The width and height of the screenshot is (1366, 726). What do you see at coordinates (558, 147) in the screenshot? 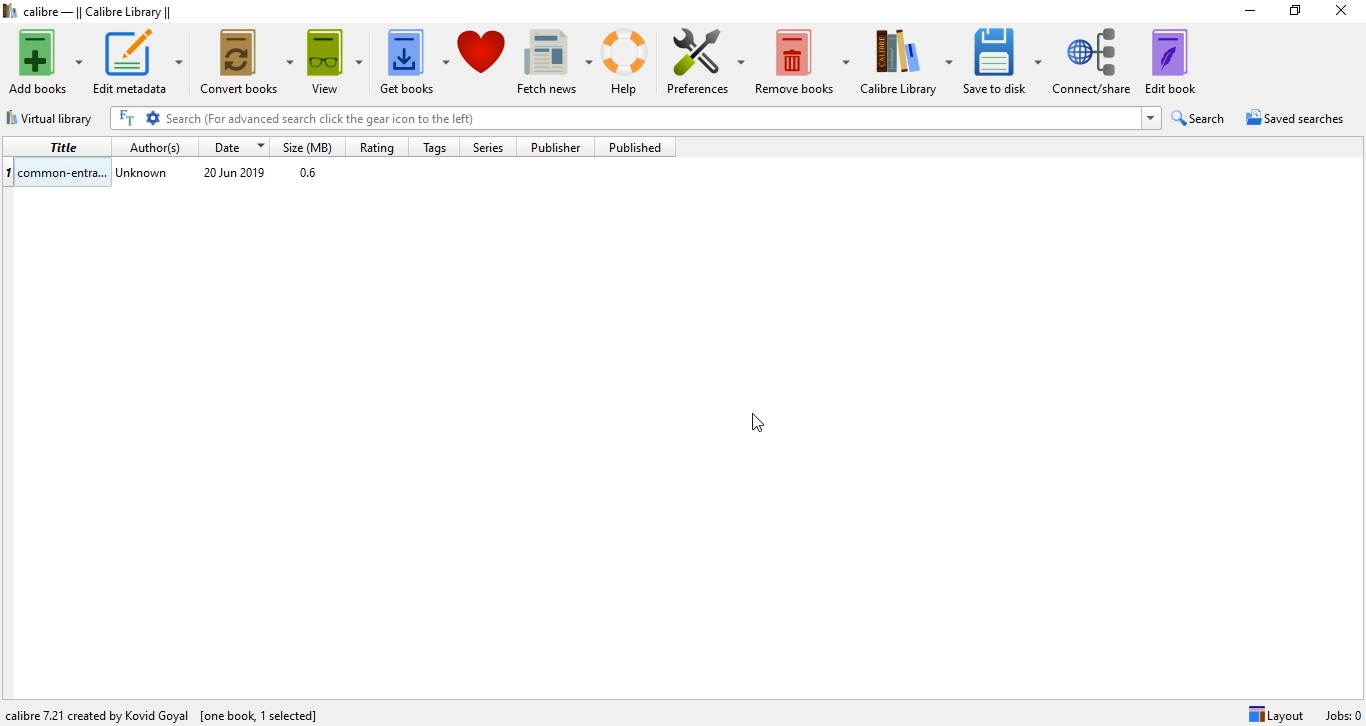
I see `Publisher` at bounding box center [558, 147].